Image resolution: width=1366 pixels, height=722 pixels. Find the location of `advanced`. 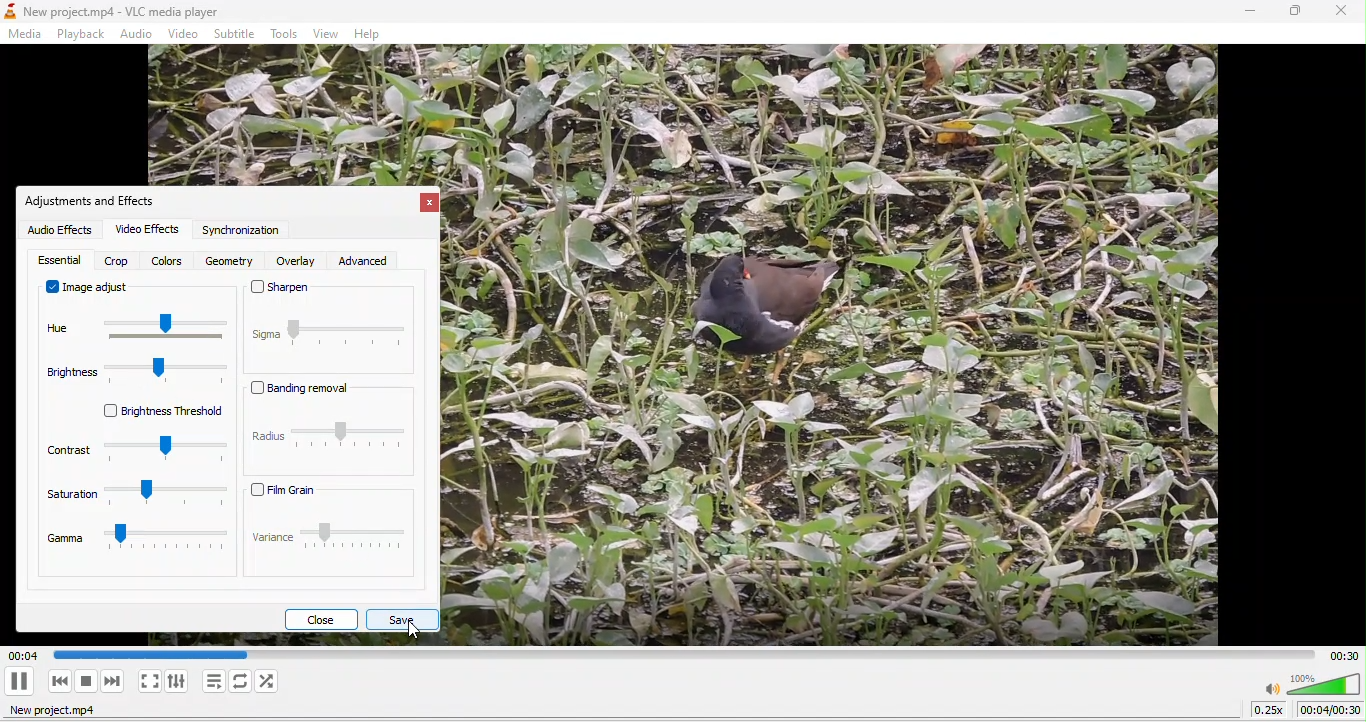

advanced is located at coordinates (376, 260).